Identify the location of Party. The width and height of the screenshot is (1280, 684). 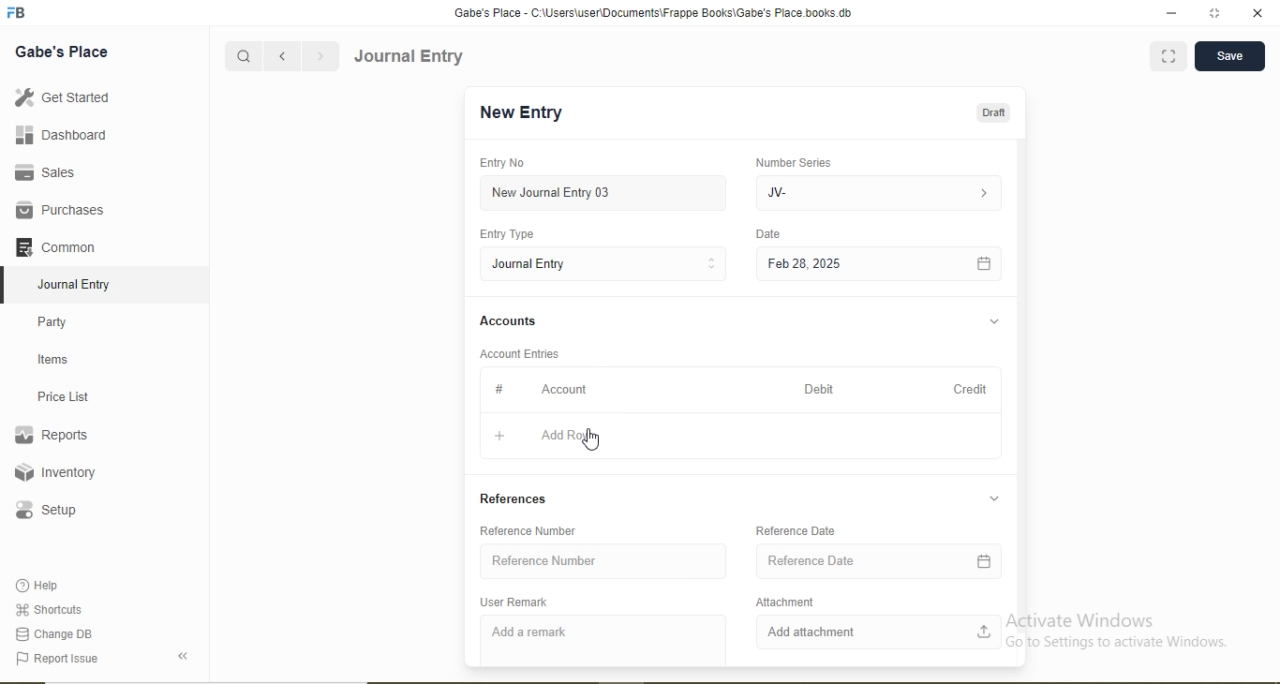
(53, 324).